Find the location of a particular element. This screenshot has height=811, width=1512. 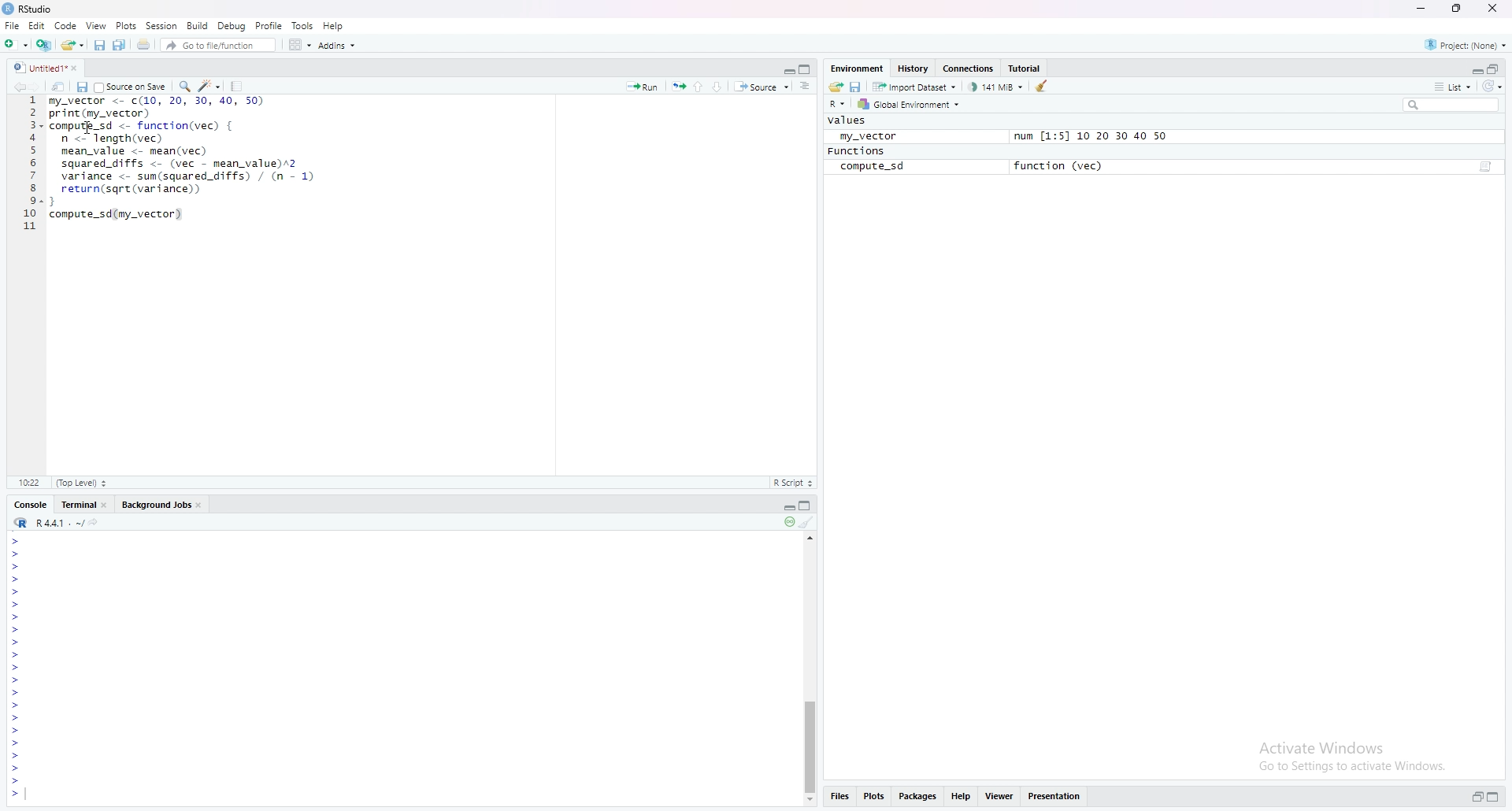

Prompt cursor is located at coordinates (16, 731).